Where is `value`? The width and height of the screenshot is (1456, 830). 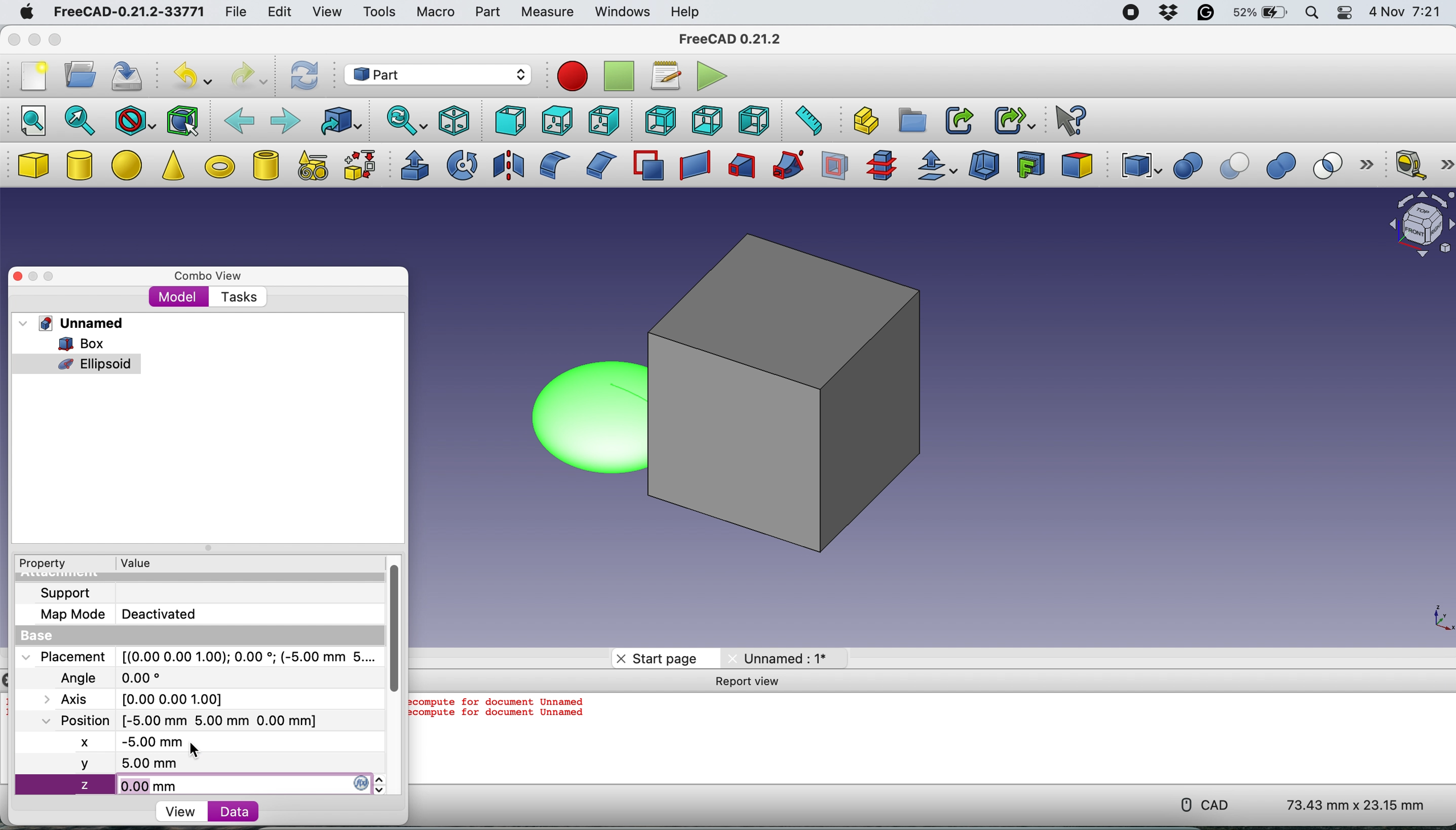 value is located at coordinates (134, 563).